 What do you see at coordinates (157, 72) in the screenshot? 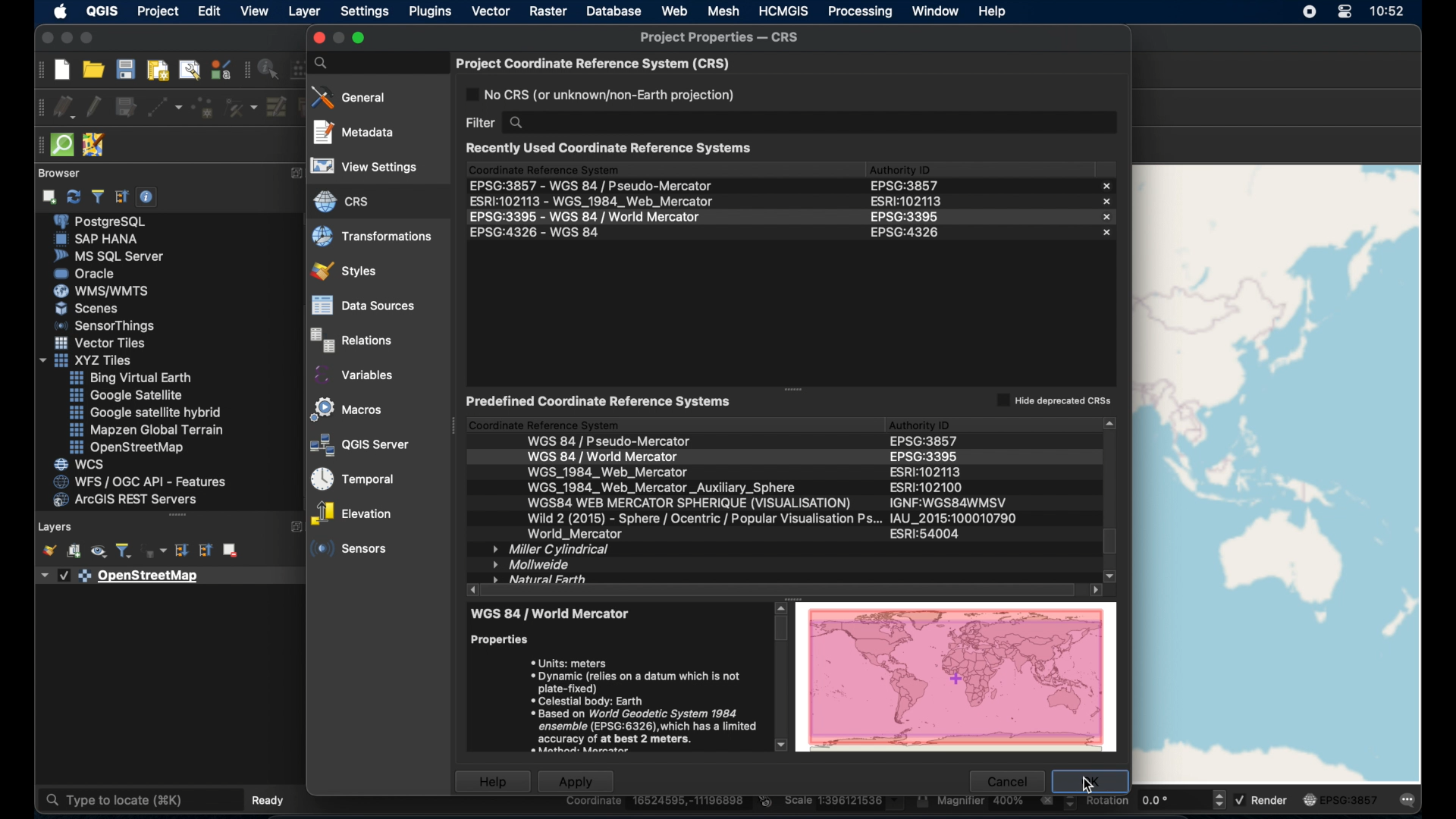
I see `new print layout` at bounding box center [157, 72].